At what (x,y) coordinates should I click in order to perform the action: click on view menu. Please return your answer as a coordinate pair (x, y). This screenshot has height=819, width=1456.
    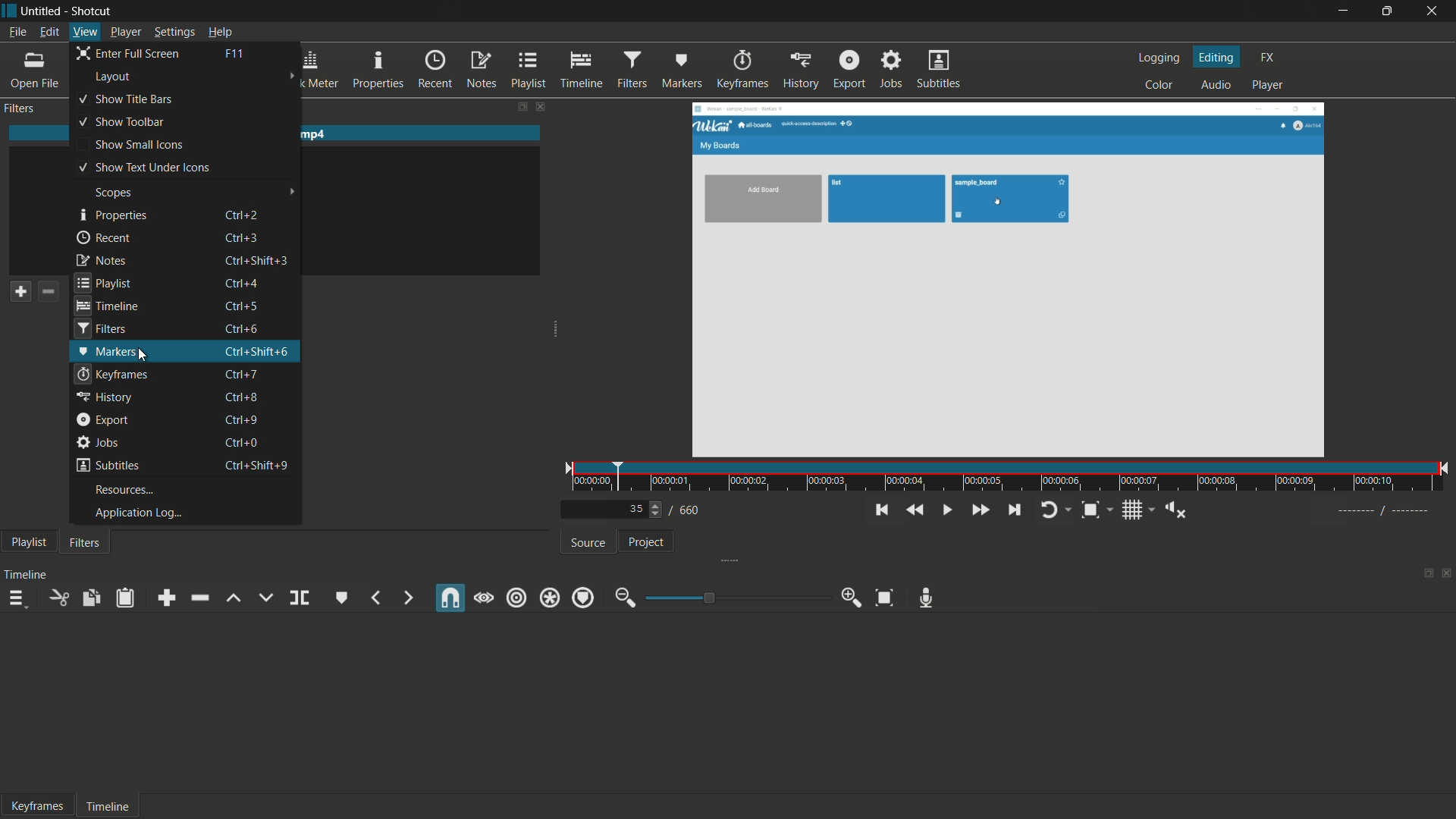
    Looking at the image, I should click on (84, 32).